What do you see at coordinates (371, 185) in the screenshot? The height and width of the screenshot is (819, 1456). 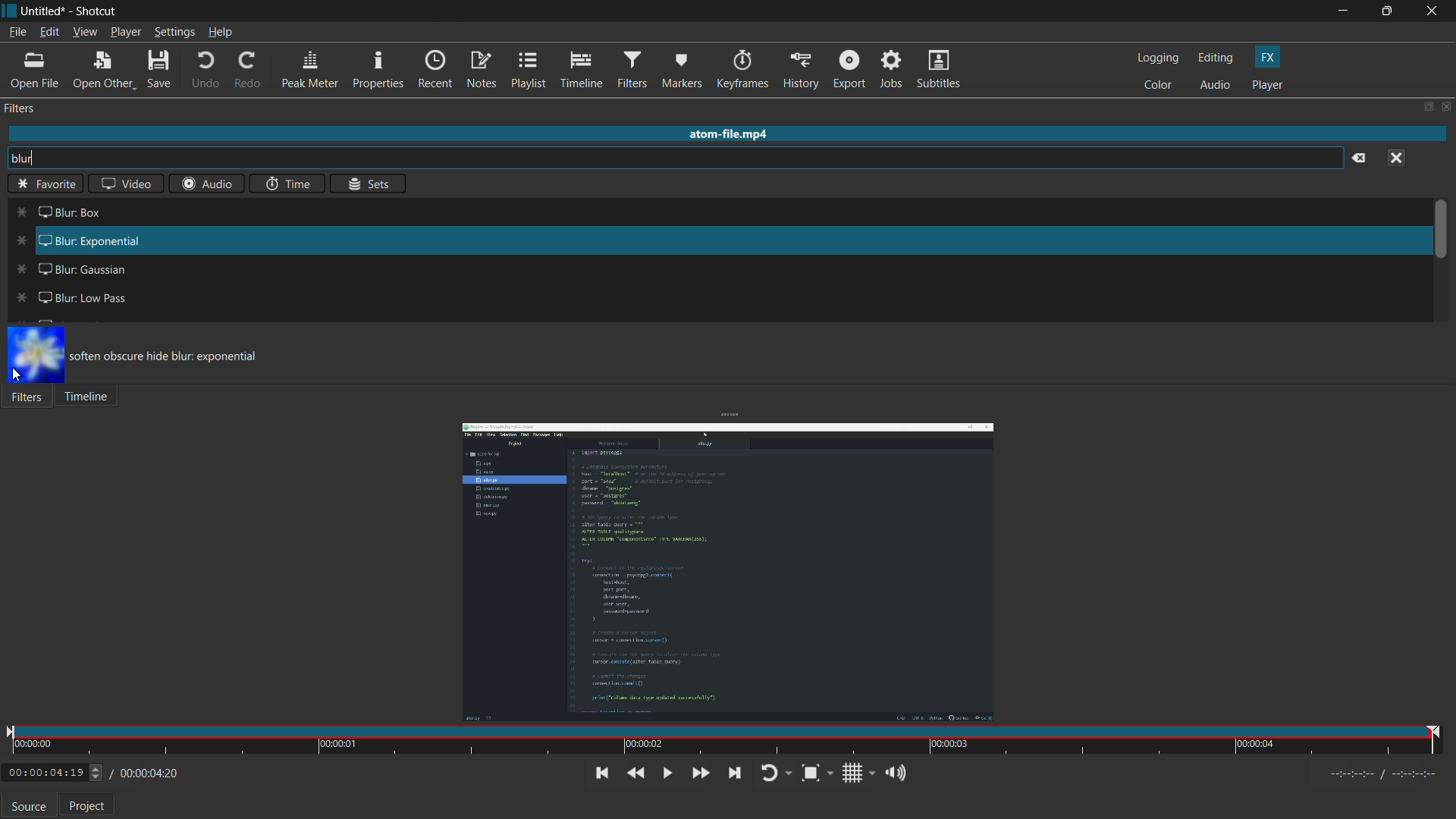 I see `sets` at bounding box center [371, 185].